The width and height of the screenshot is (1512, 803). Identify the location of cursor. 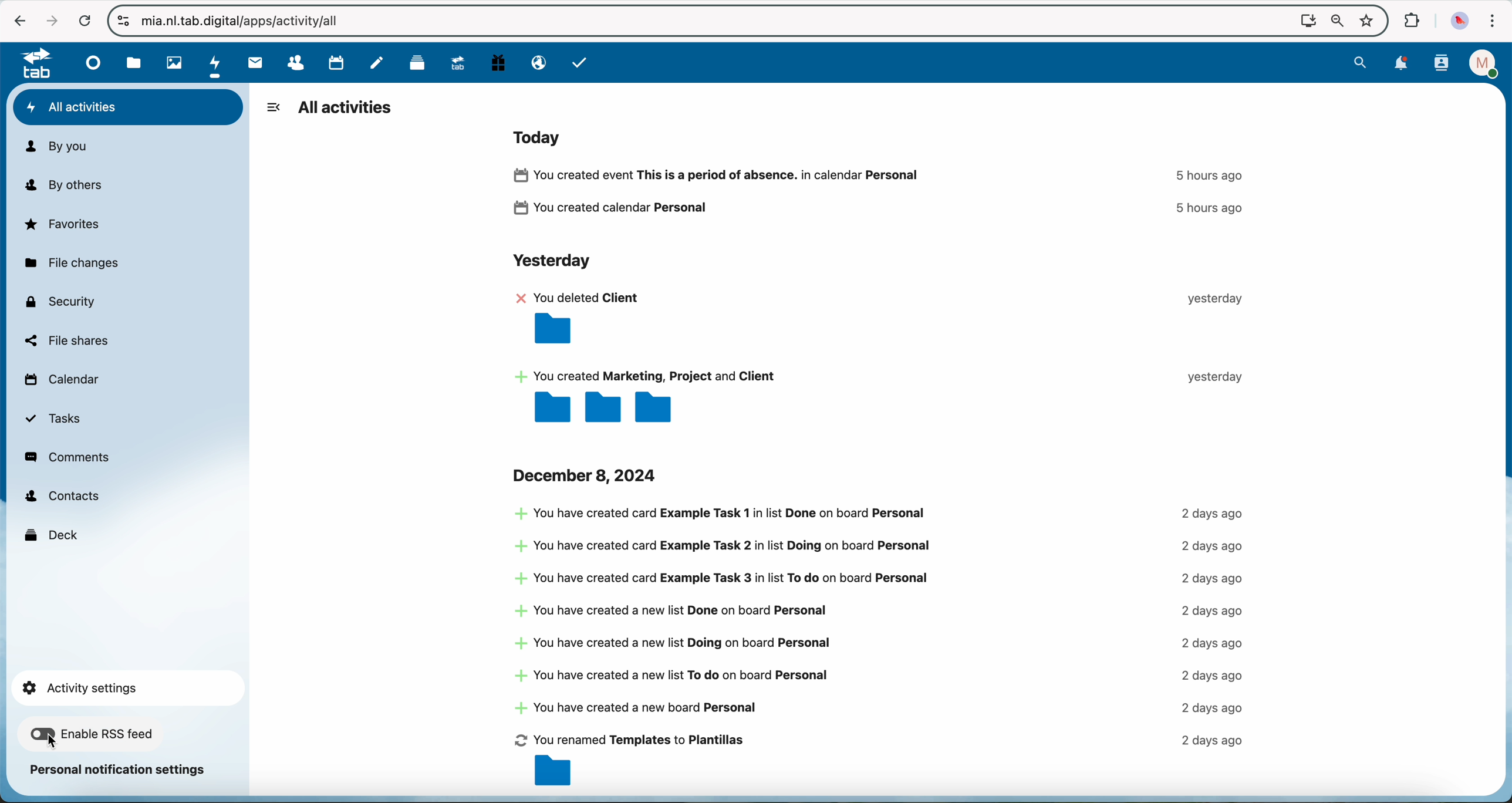
(53, 741).